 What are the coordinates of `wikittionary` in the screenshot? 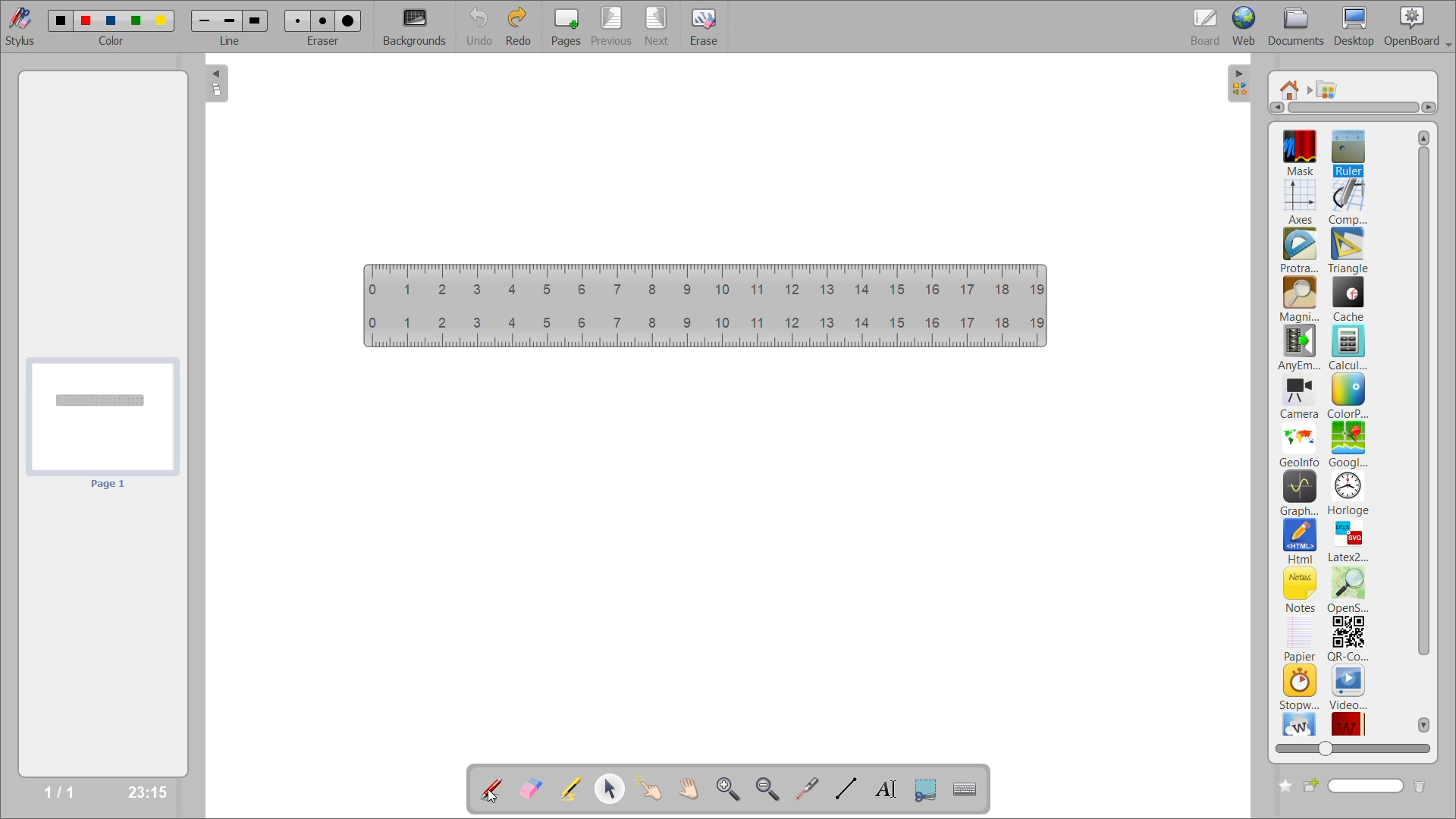 It's located at (1349, 722).